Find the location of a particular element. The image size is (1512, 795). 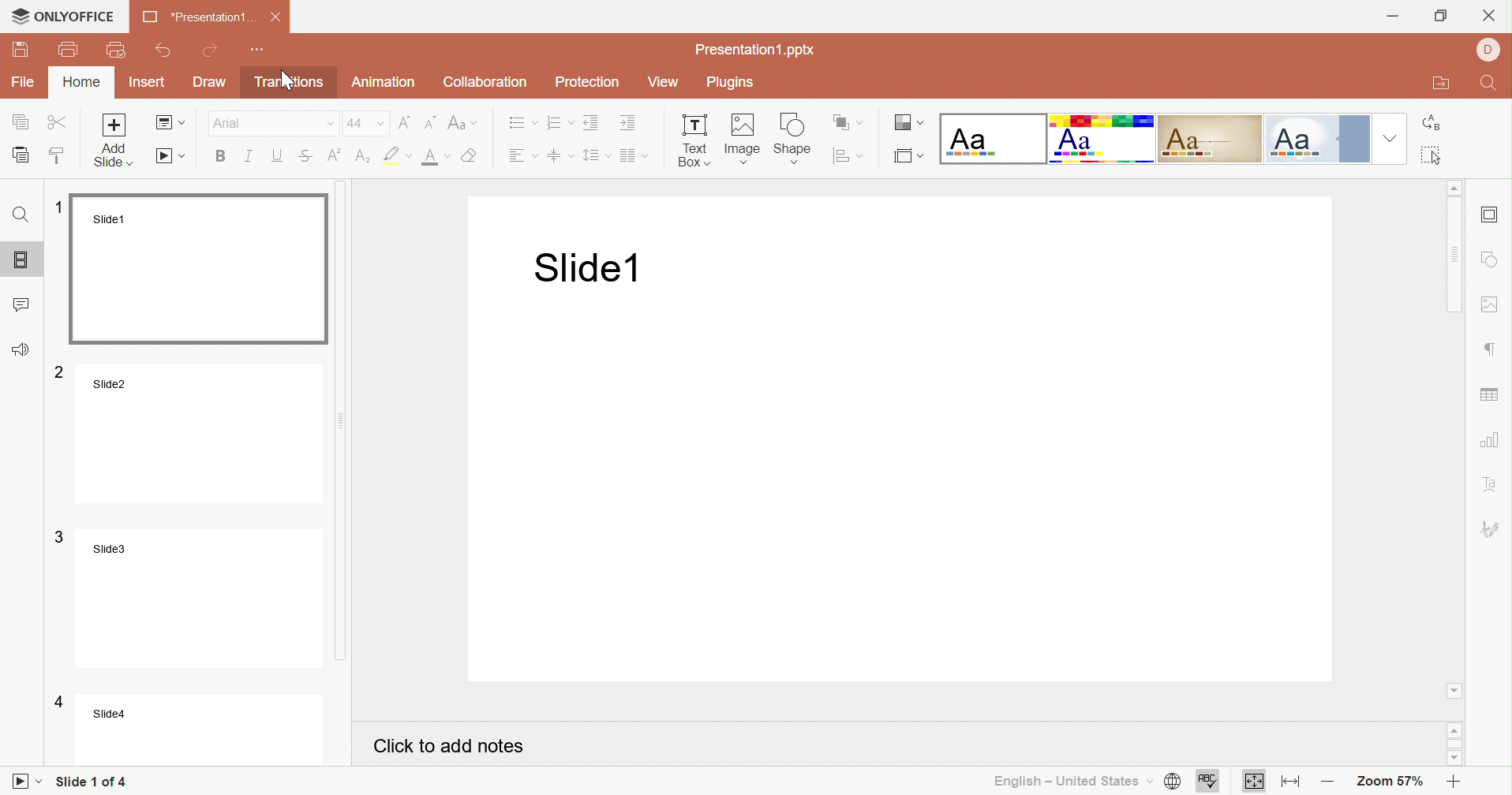

Scroll down is located at coordinates (1454, 691).